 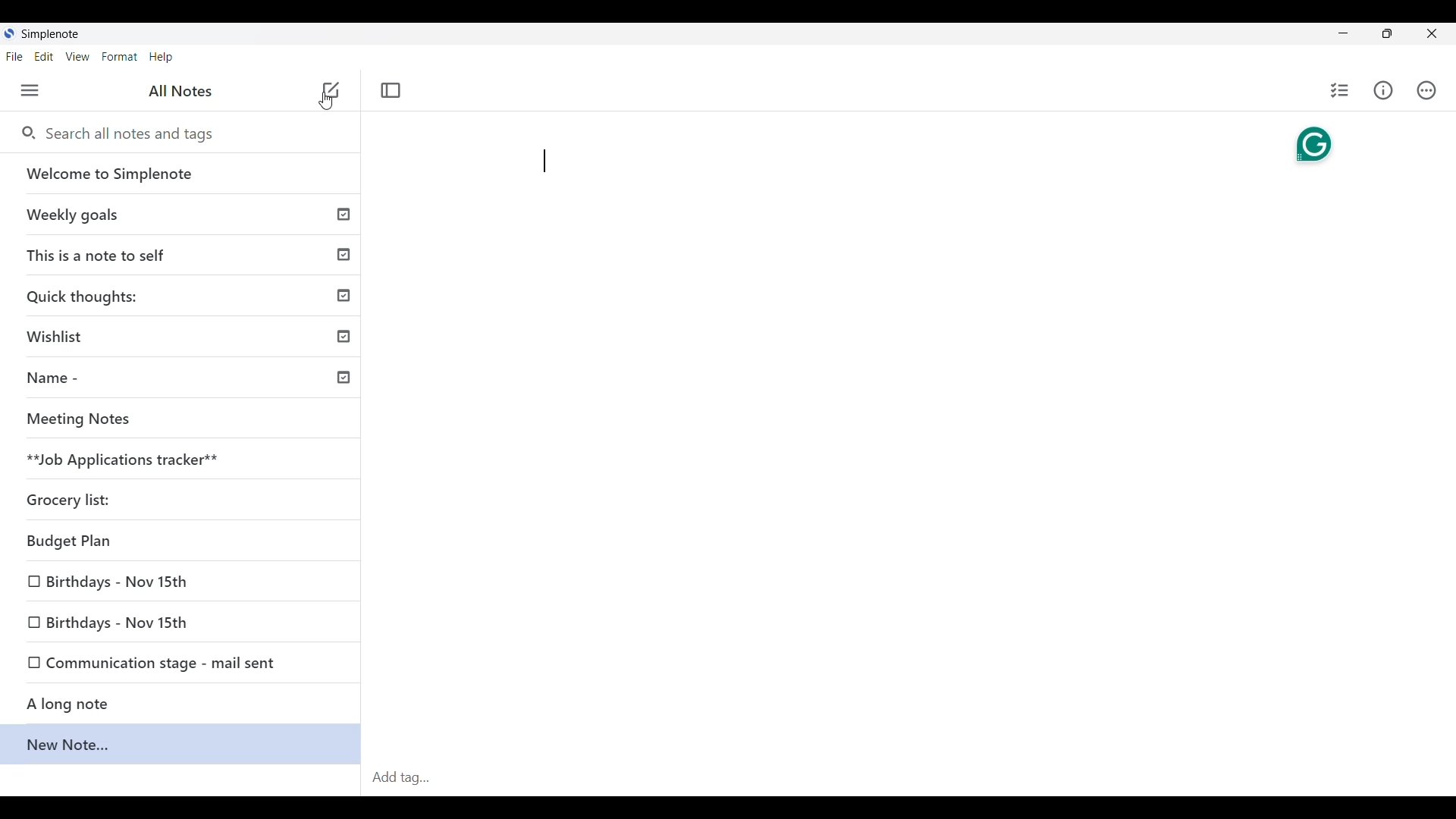 I want to click on This is a note to self, so click(x=184, y=252).